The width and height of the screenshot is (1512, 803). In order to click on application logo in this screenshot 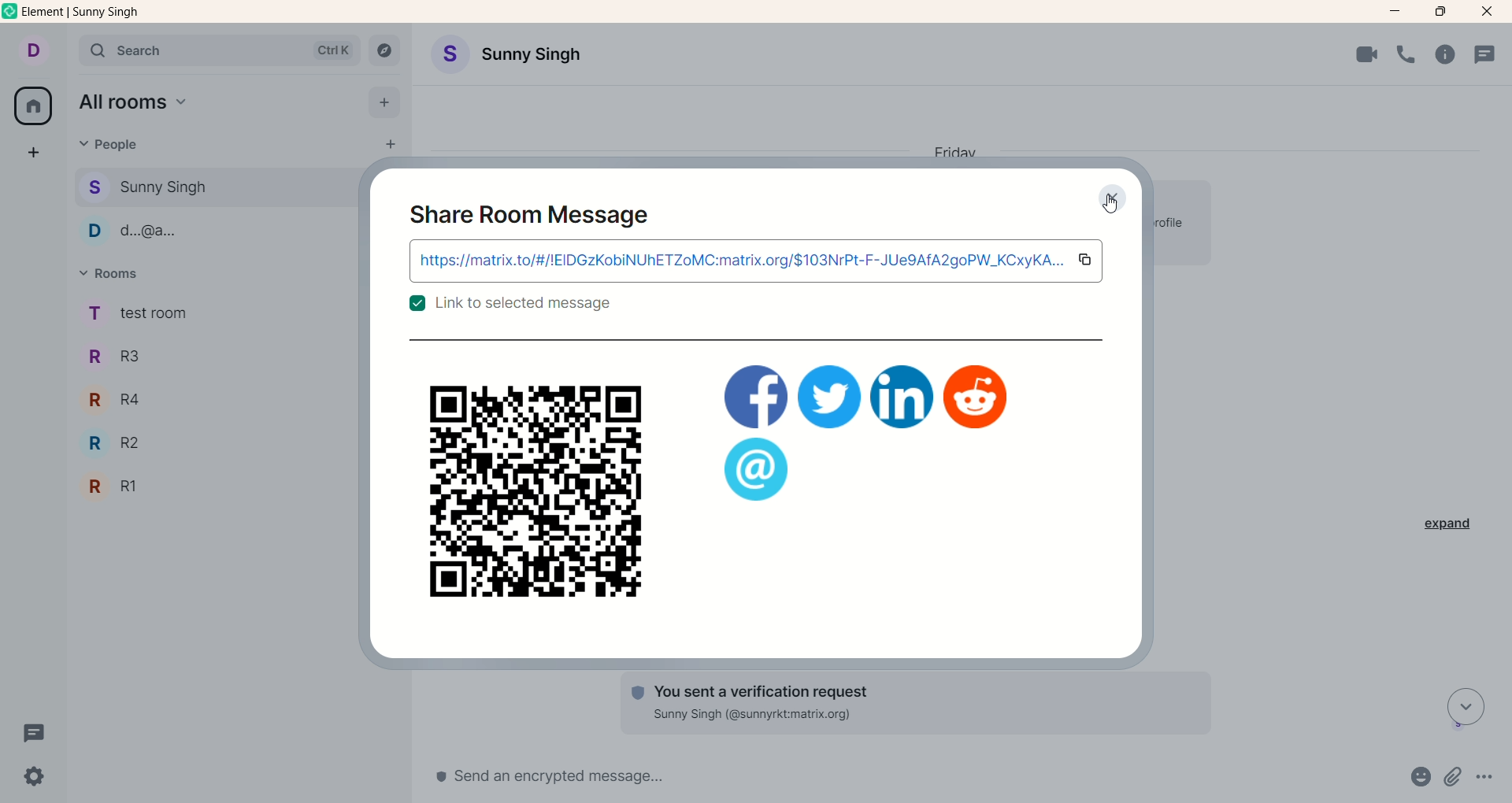, I will do `click(756, 470)`.